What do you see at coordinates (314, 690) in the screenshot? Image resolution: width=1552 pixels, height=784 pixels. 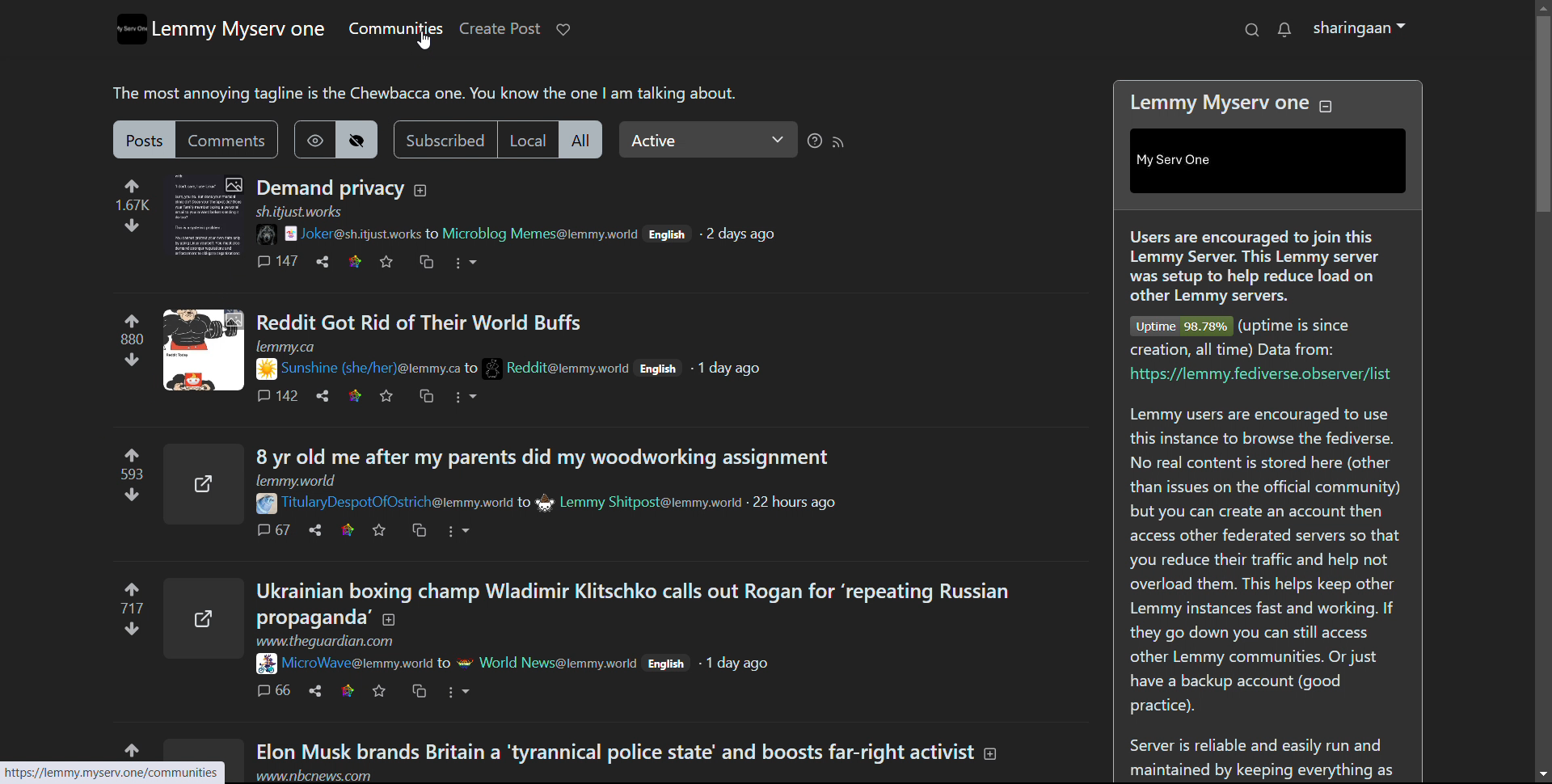 I see `share` at bounding box center [314, 690].